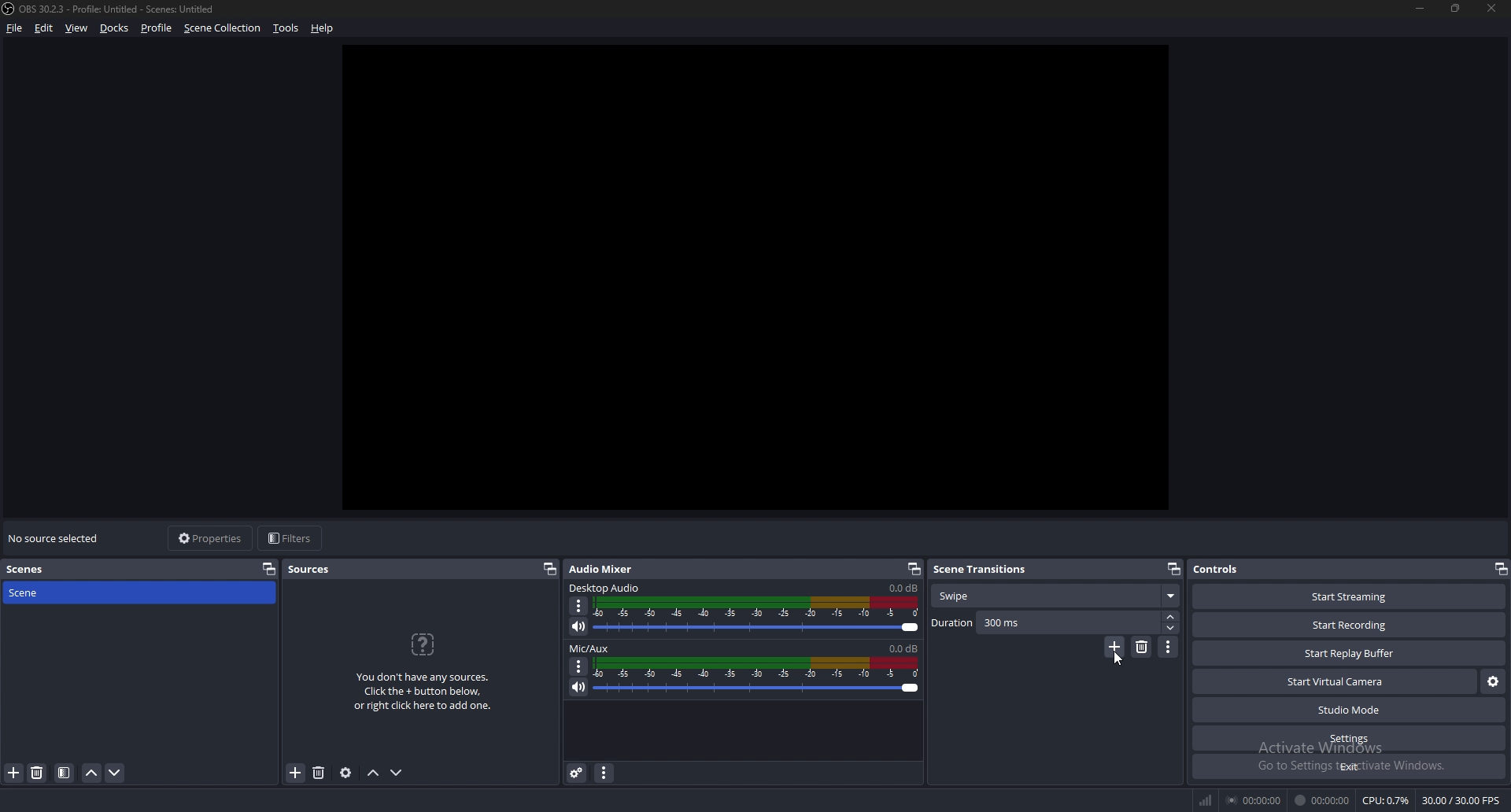 The image size is (1511, 812). Describe the element at coordinates (295, 775) in the screenshot. I see `add source` at that location.